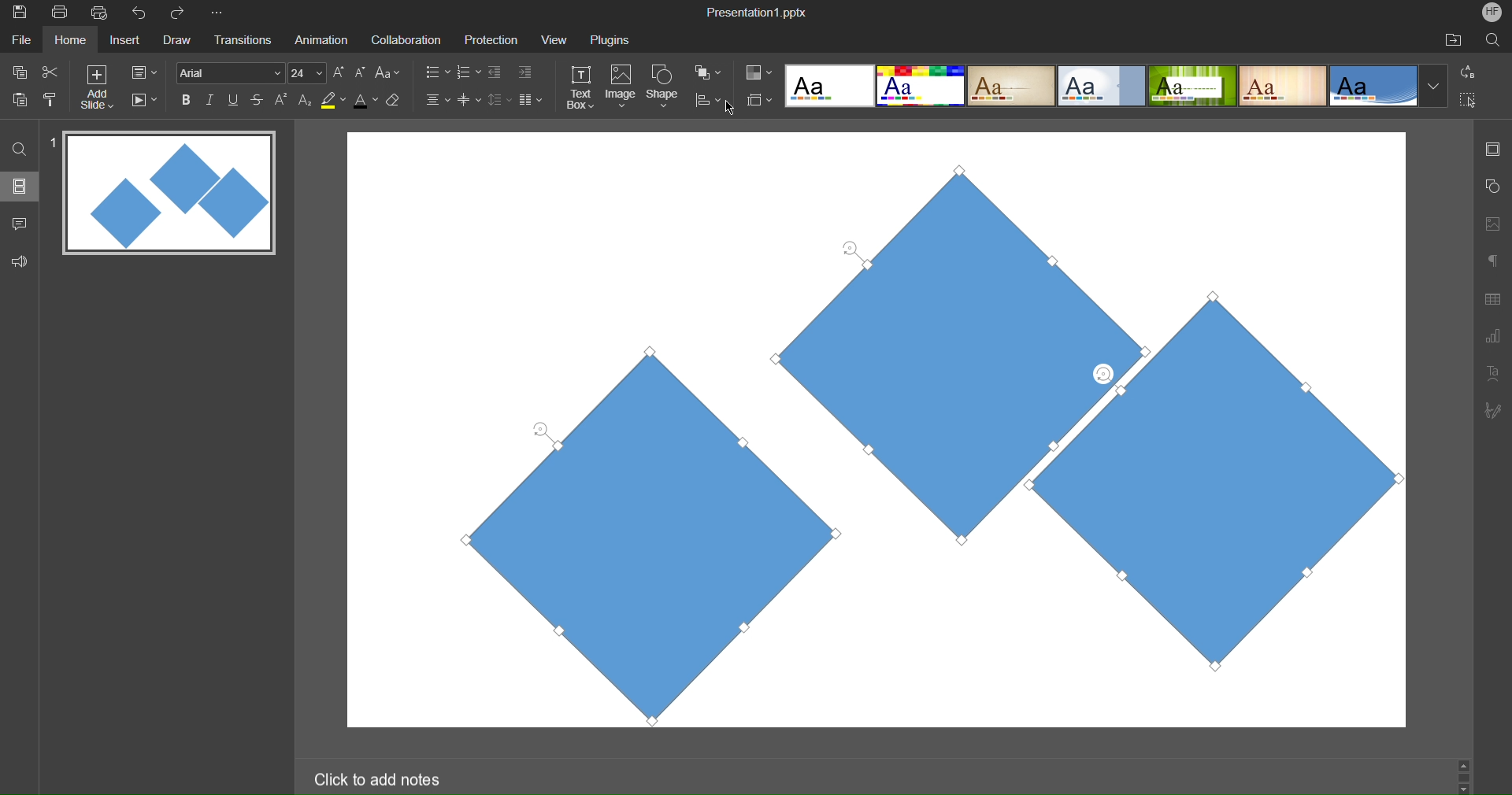  Describe the element at coordinates (20, 148) in the screenshot. I see `search` at that location.